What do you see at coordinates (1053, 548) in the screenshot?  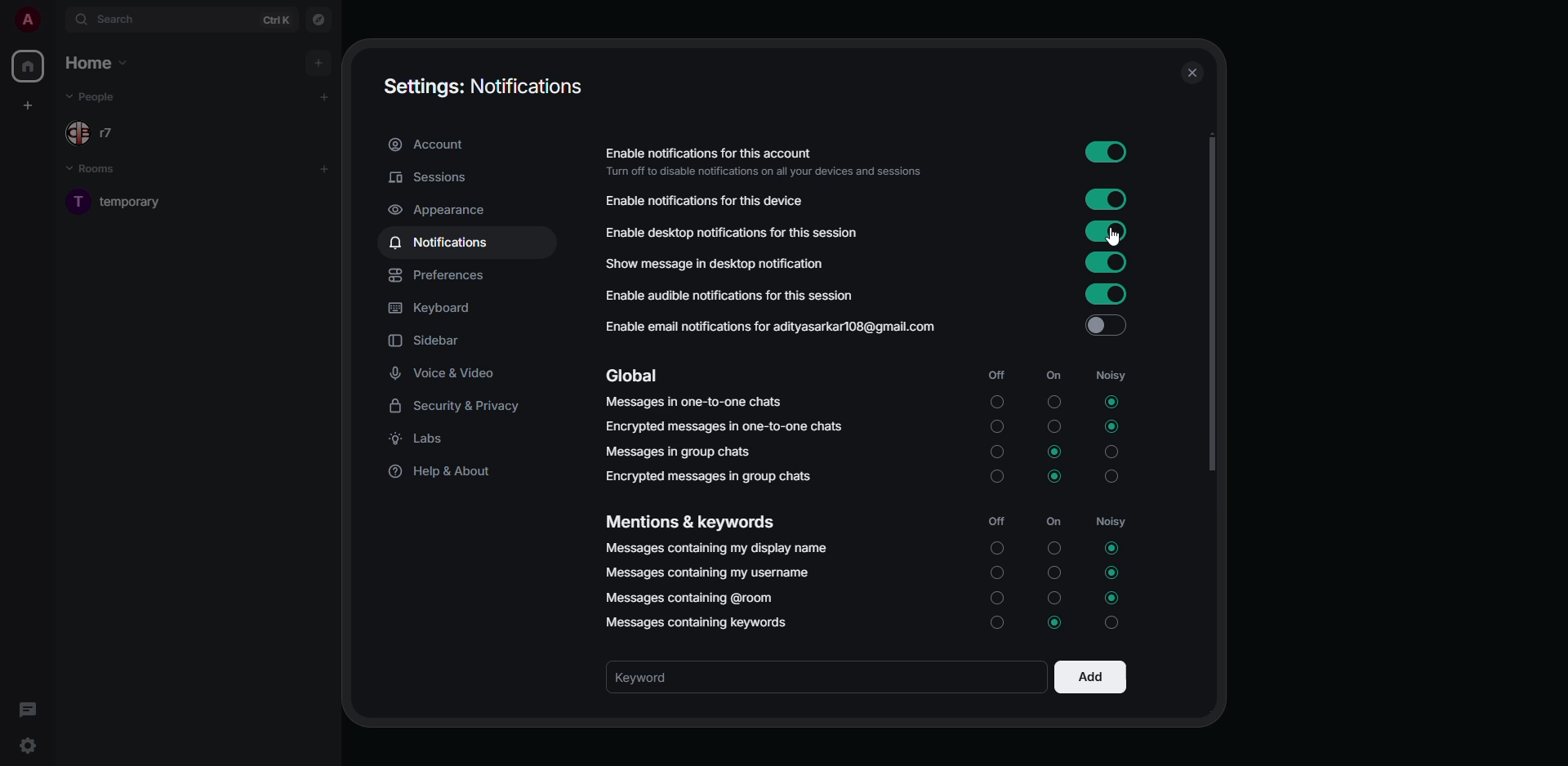 I see `turn off` at bounding box center [1053, 548].